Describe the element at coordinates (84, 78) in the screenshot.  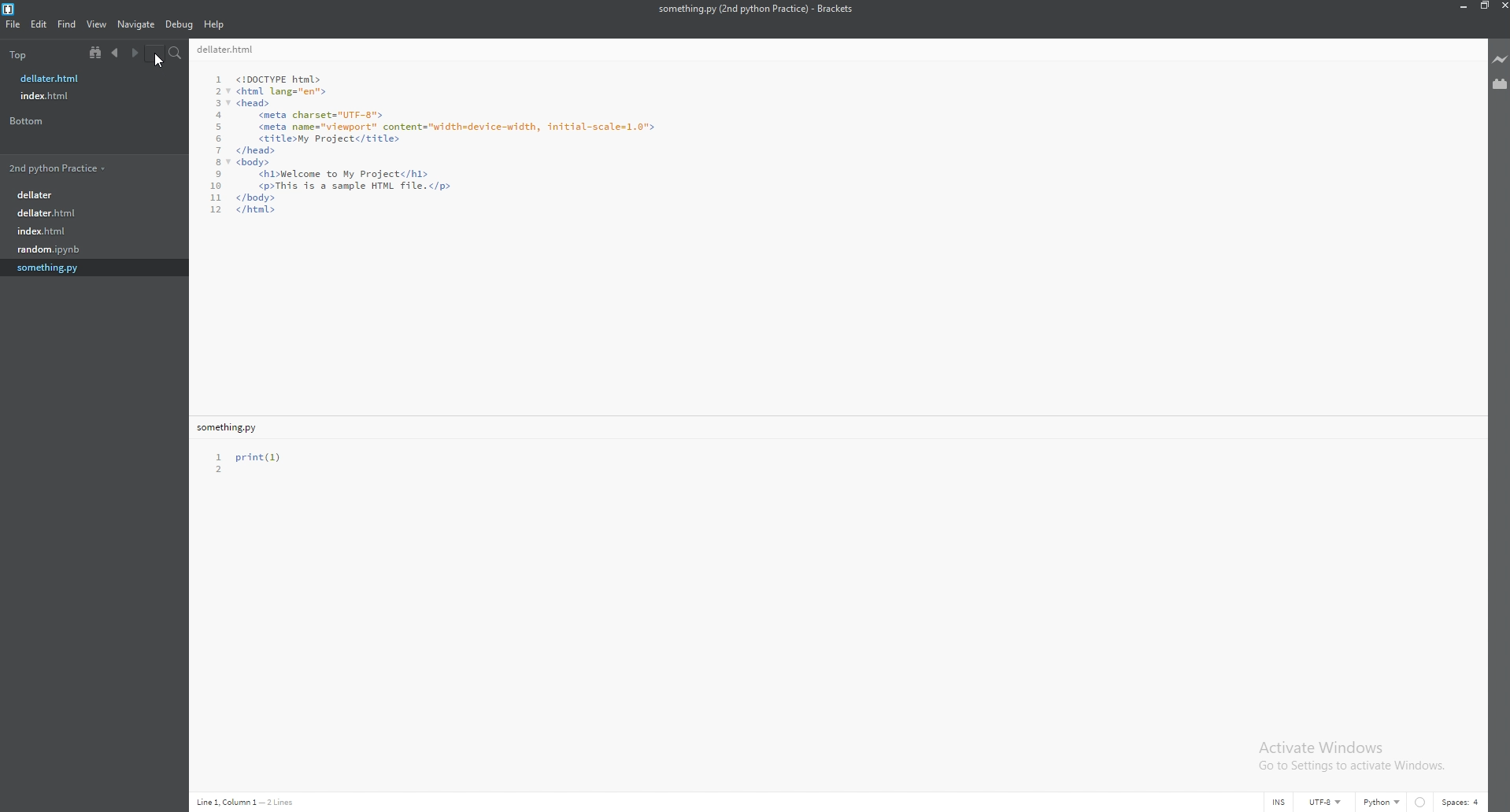
I see `file name` at that location.